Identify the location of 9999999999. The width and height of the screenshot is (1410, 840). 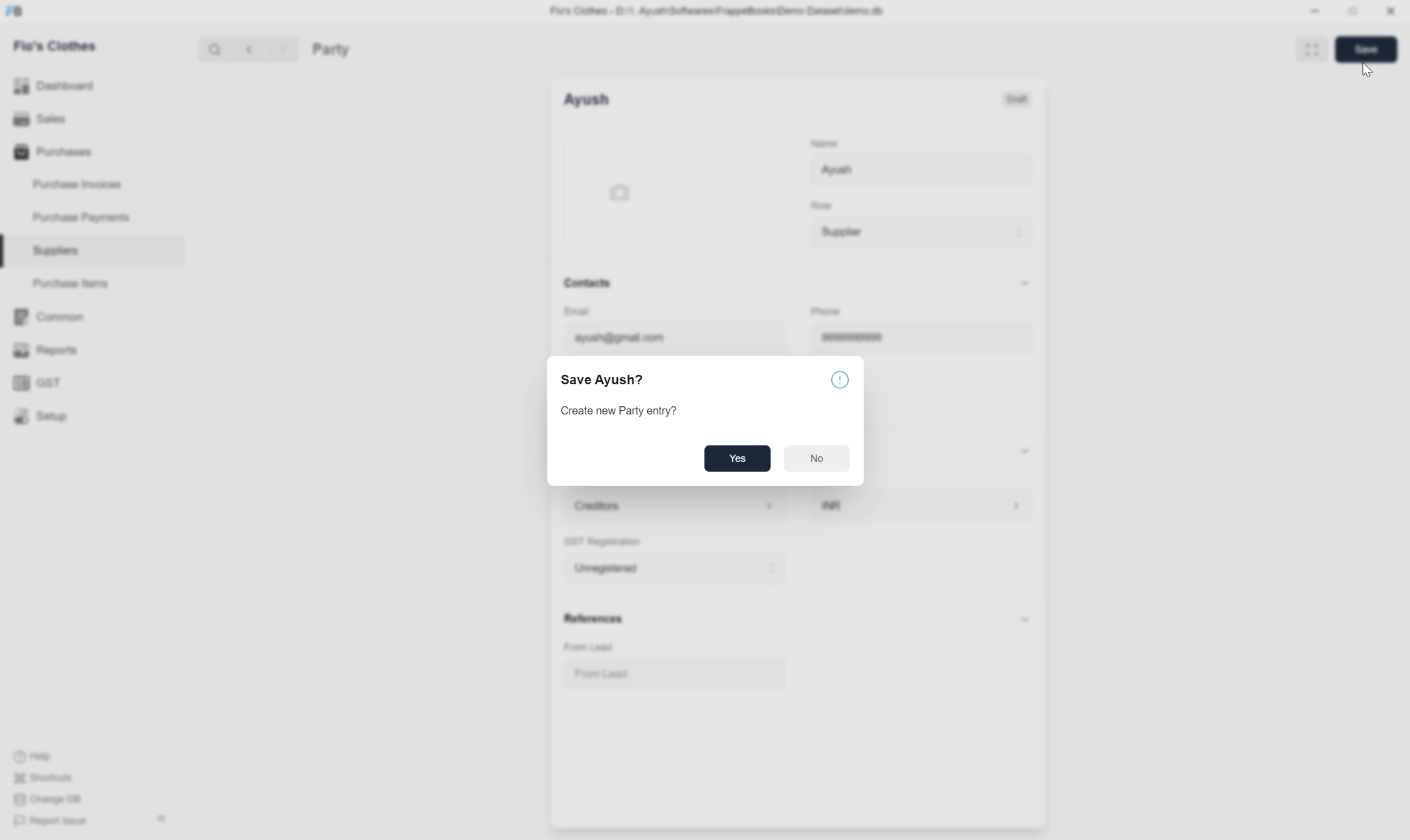
(921, 338).